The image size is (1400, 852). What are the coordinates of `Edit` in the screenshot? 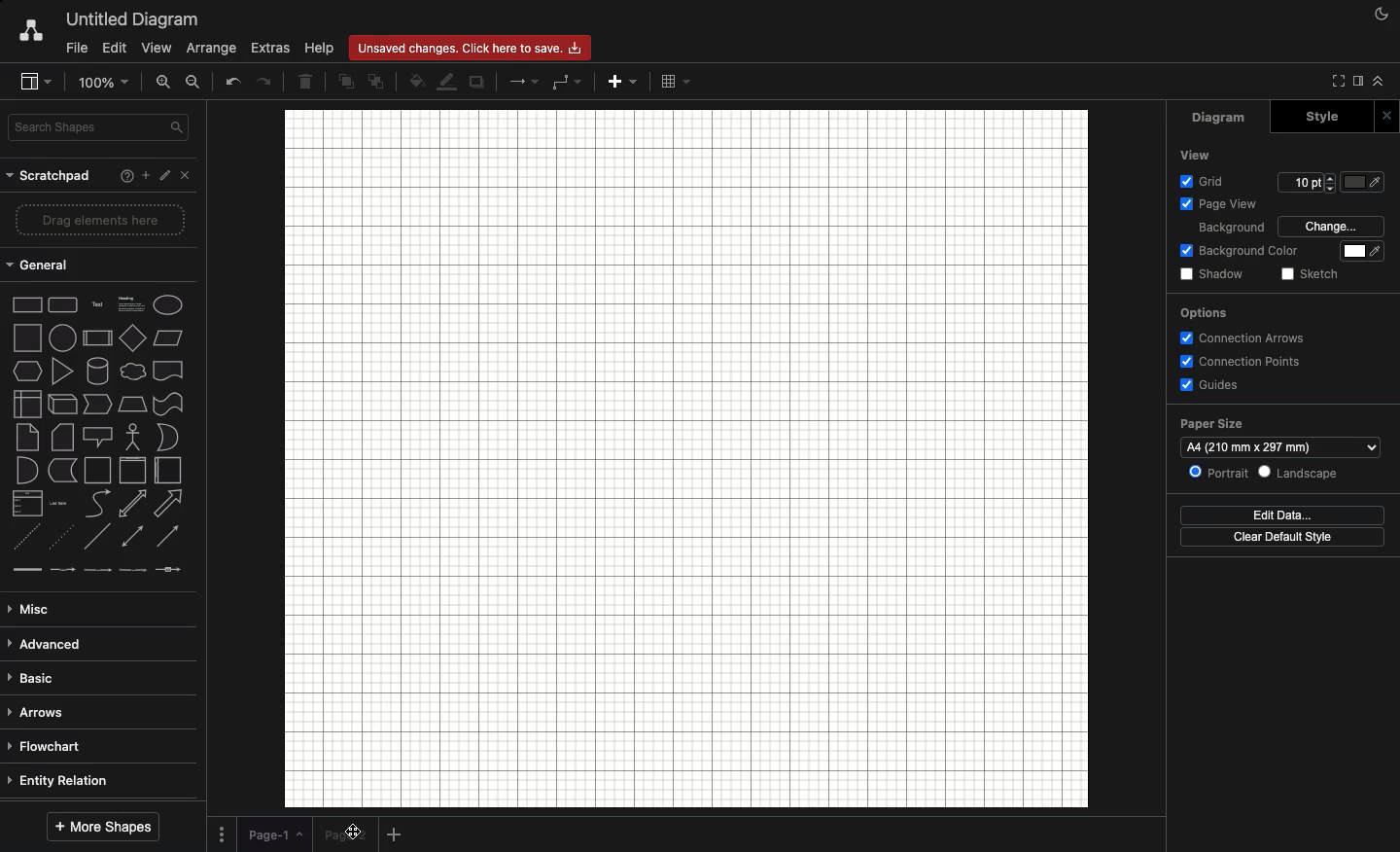 It's located at (114, 49).